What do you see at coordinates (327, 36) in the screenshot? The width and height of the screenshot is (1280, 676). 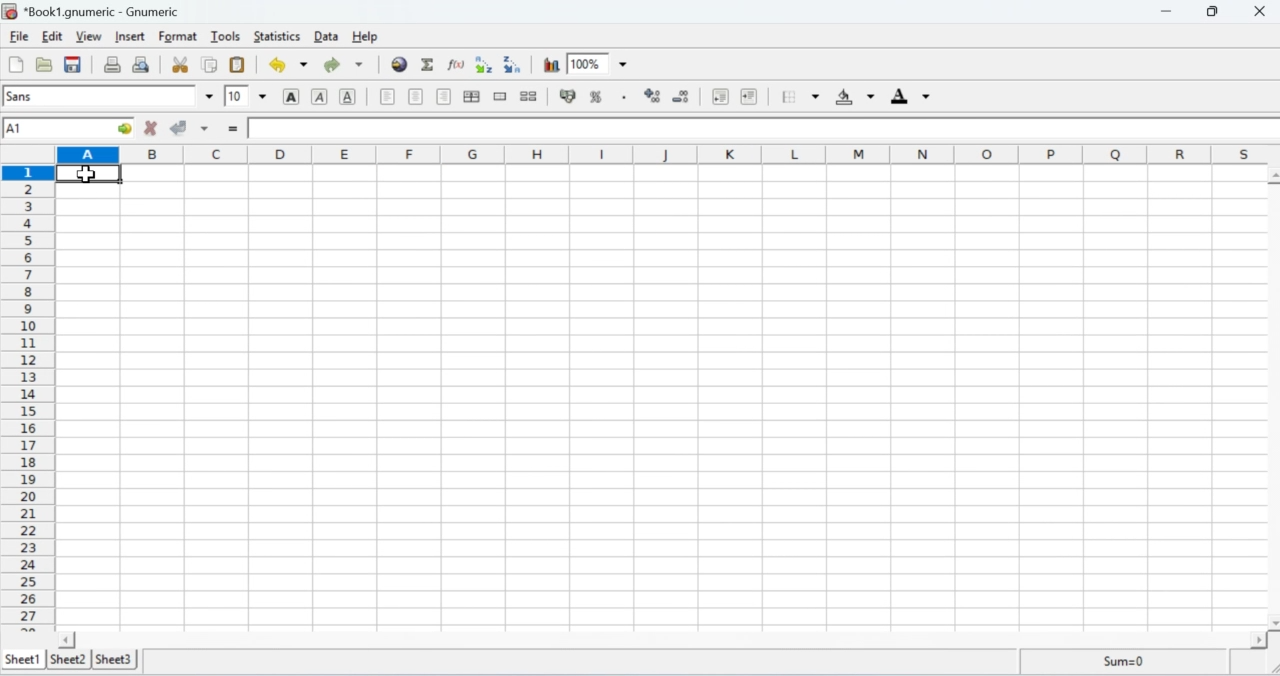 I see `Data` at bounding box center [327, 36].